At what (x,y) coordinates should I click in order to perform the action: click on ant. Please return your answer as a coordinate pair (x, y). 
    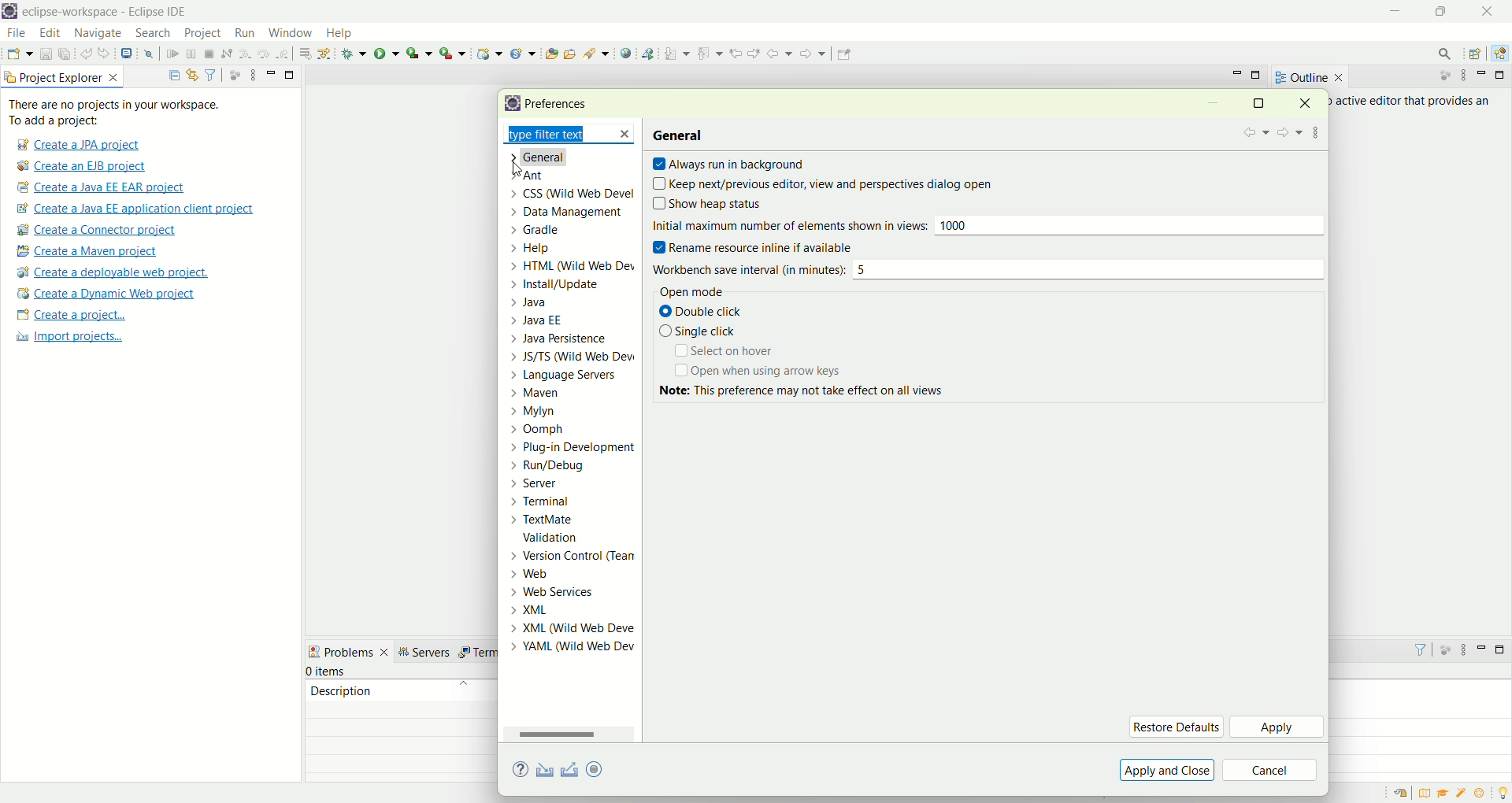
    Looking at the image, I should click on (565, 176).